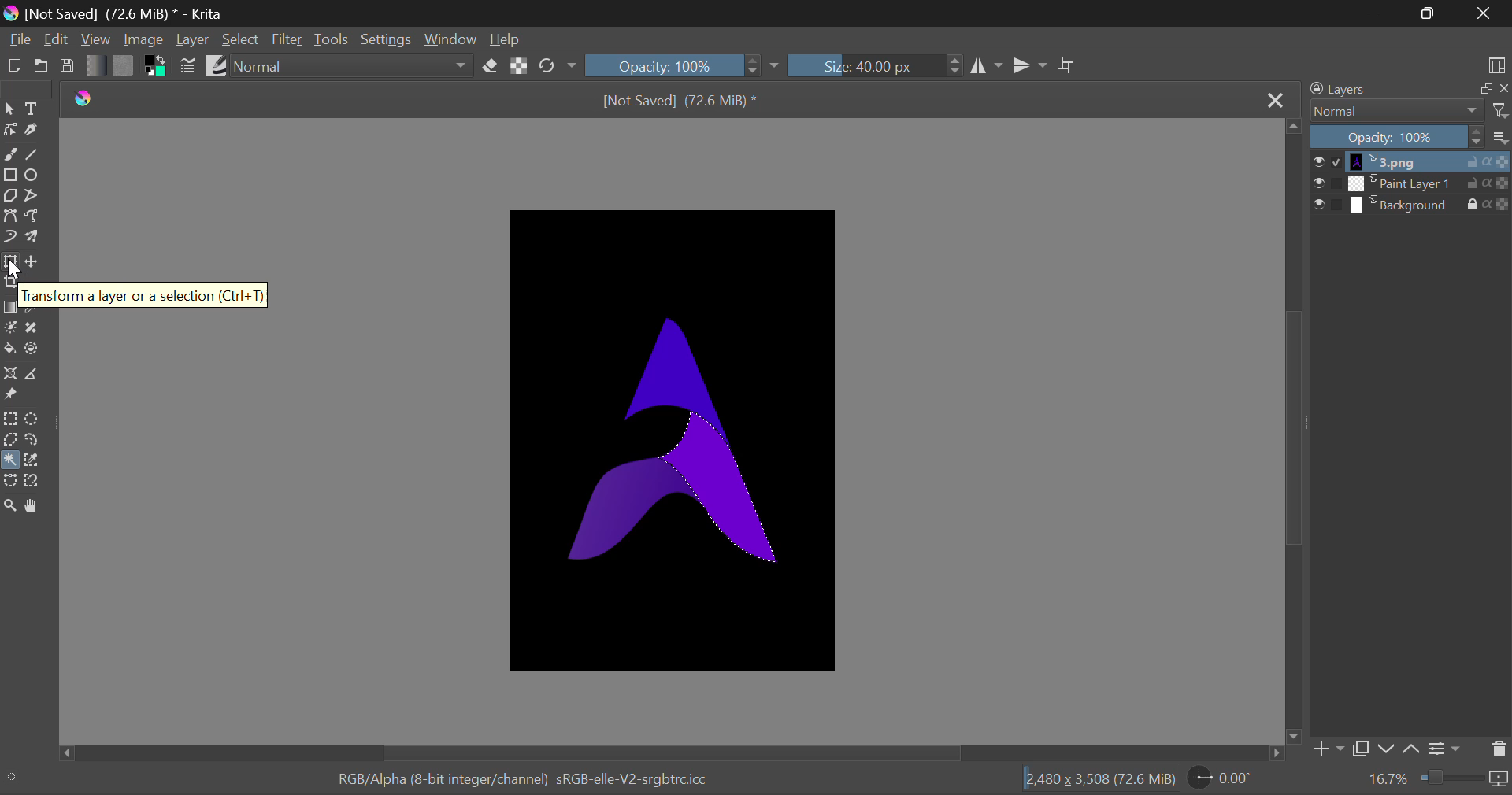 The height and width of the screenshot is (795, 1512). Describe the element at coordinates (41, 66) in the screenshot. I see `Open` at that location.